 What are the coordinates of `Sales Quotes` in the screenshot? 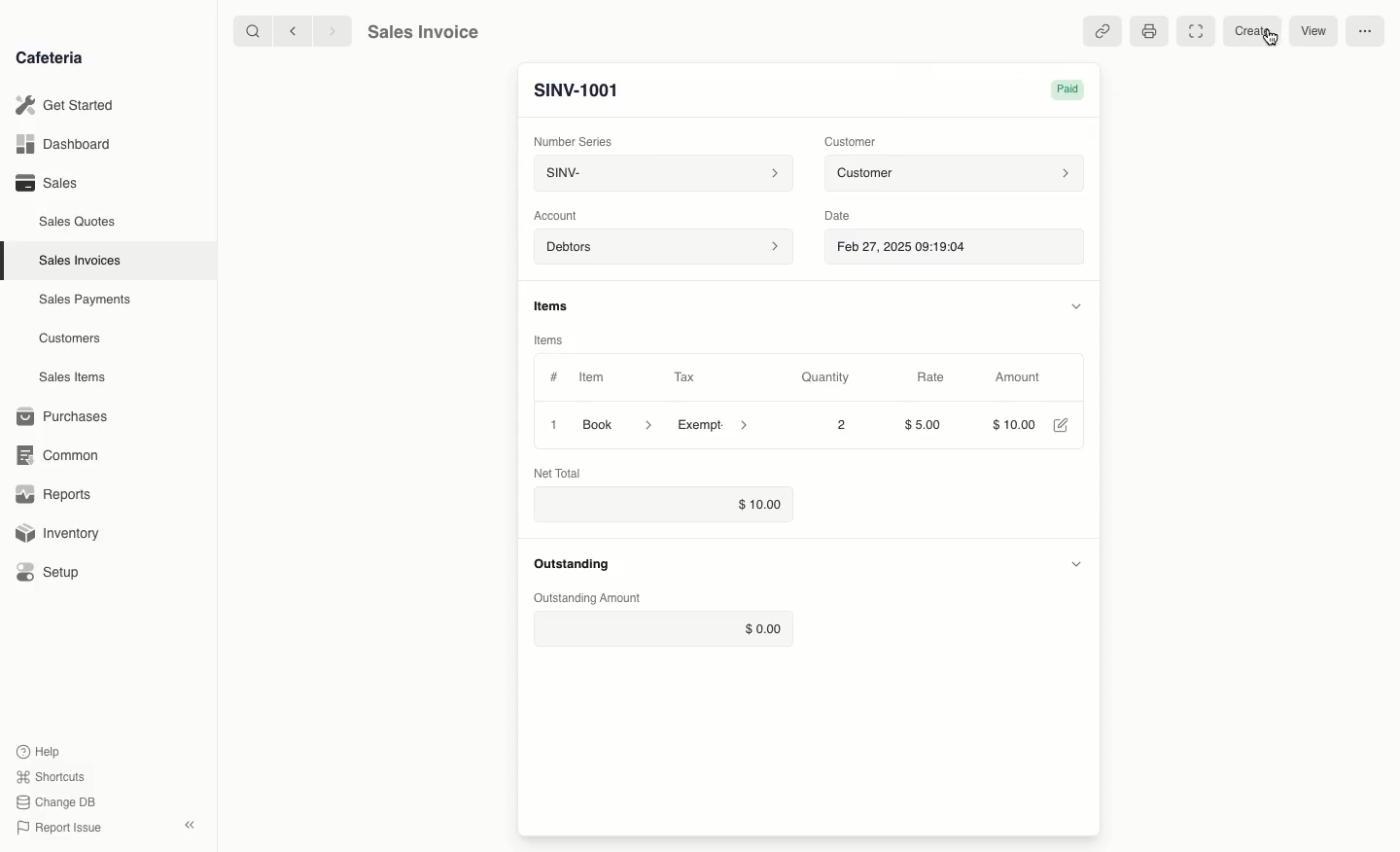 It's located at (78, 224).